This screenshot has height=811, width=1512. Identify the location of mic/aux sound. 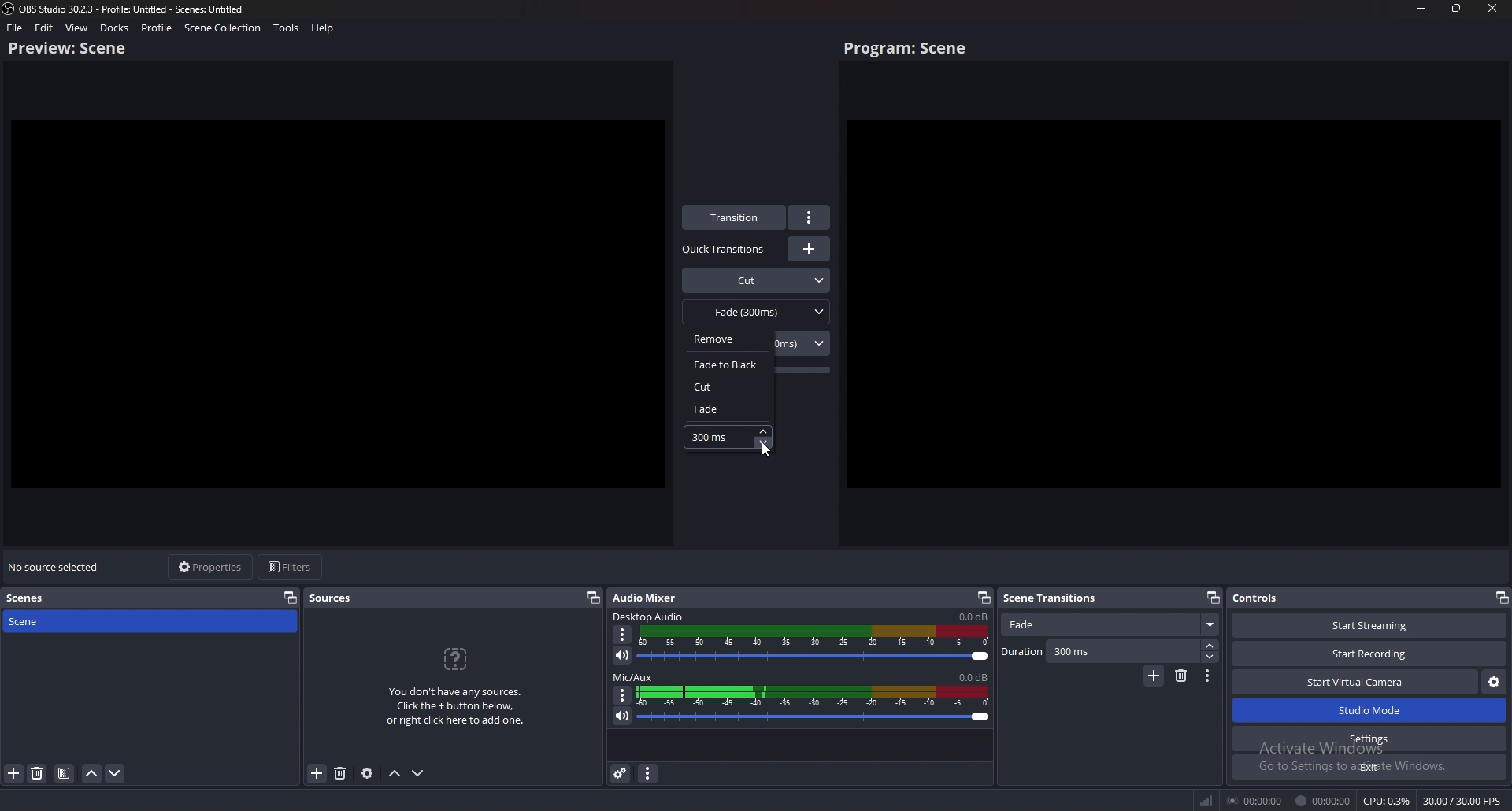
(972, 676).